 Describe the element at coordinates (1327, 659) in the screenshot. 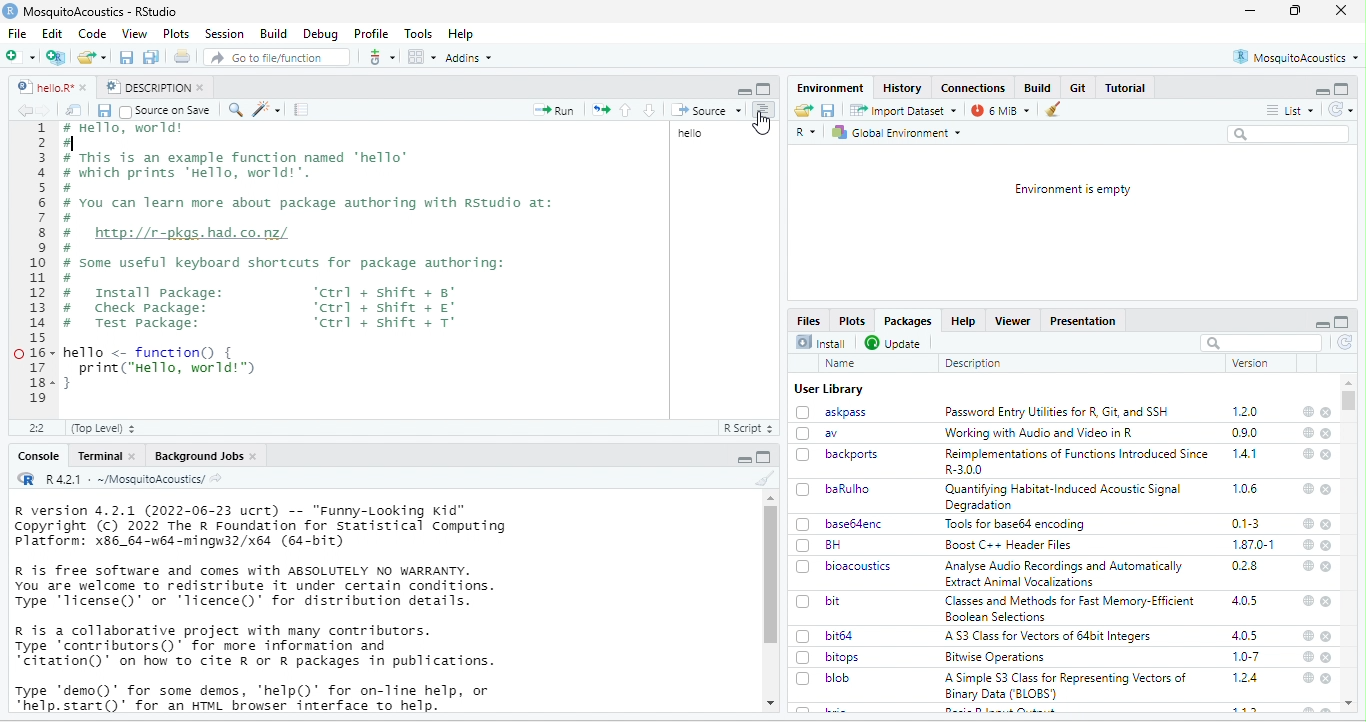

I see `close` at that location.